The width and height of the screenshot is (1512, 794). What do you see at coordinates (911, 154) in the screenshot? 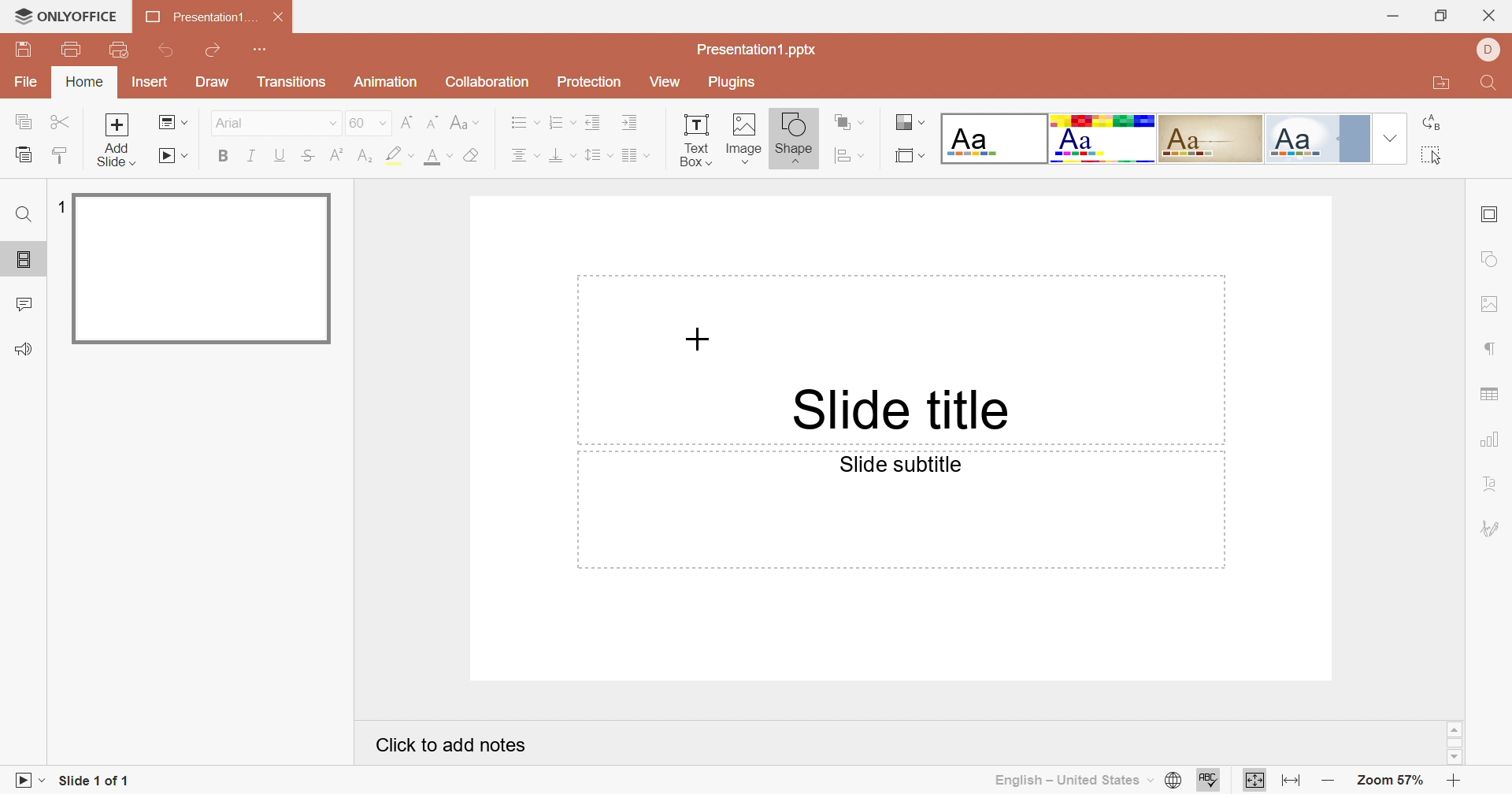
I see `table  layout` at bounding box center [911, 154].